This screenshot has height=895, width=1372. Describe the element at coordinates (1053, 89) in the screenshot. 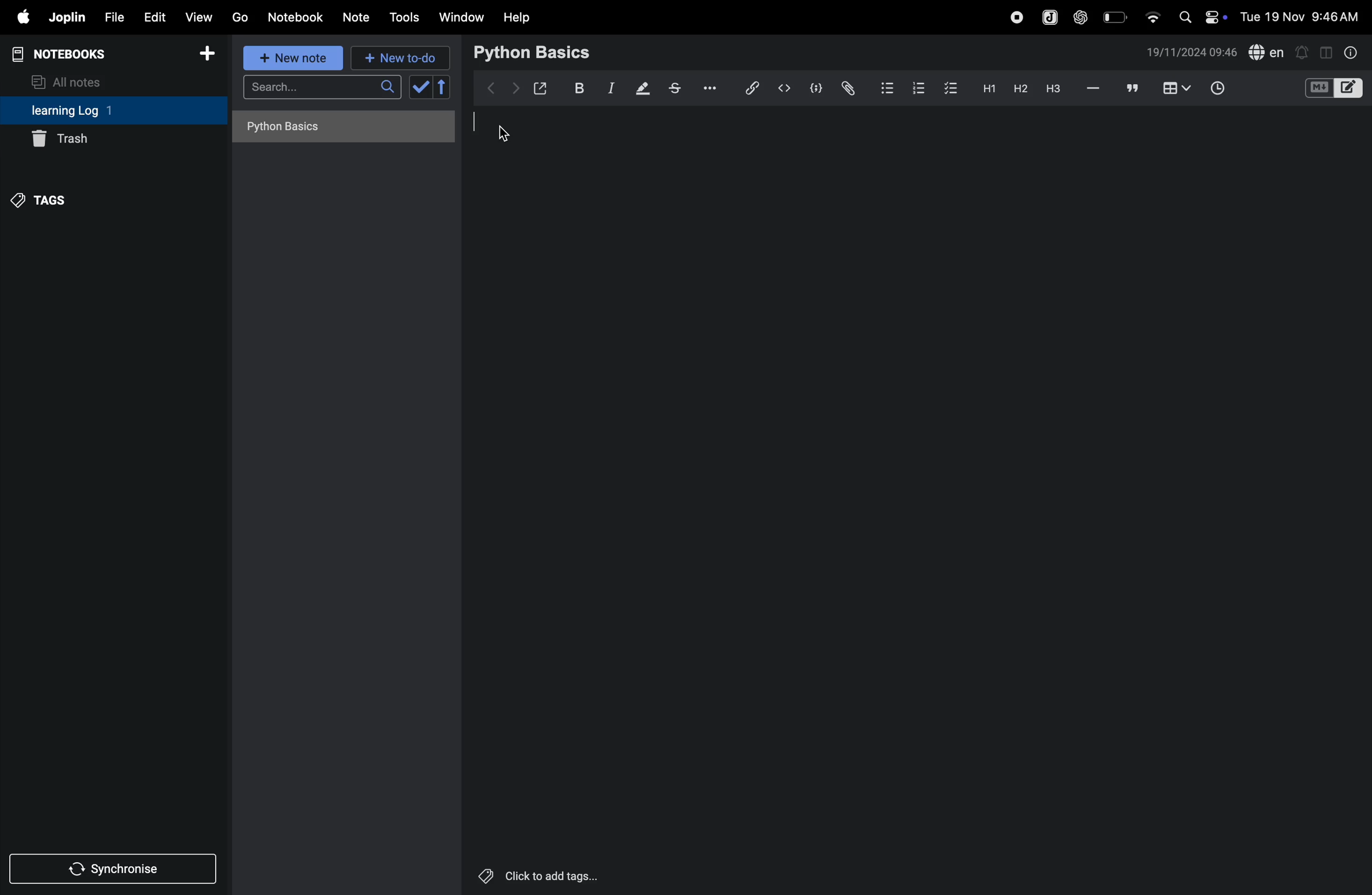

I see `heading 3` at that location.